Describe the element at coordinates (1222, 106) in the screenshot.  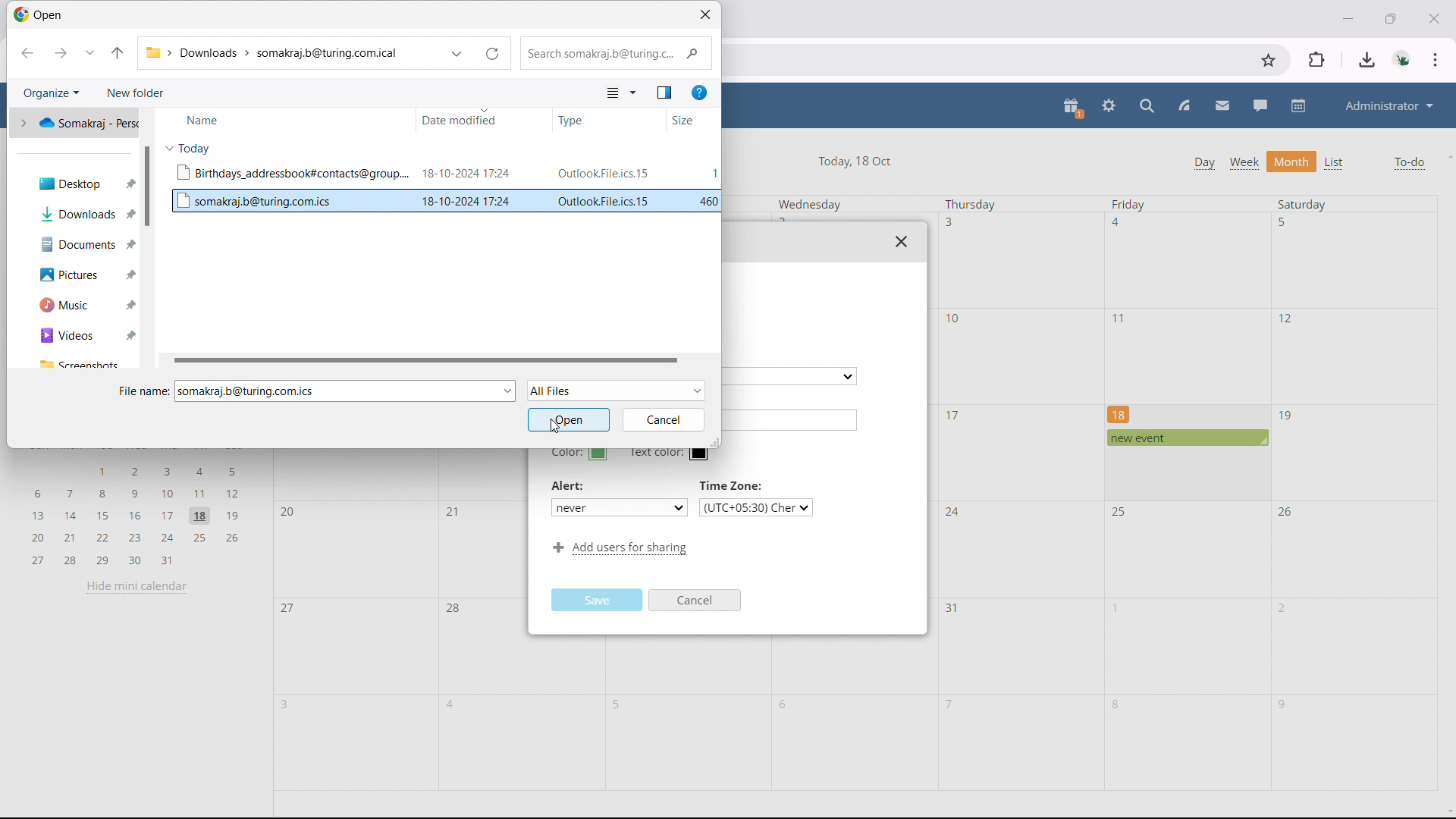
I see `mail` at that location.